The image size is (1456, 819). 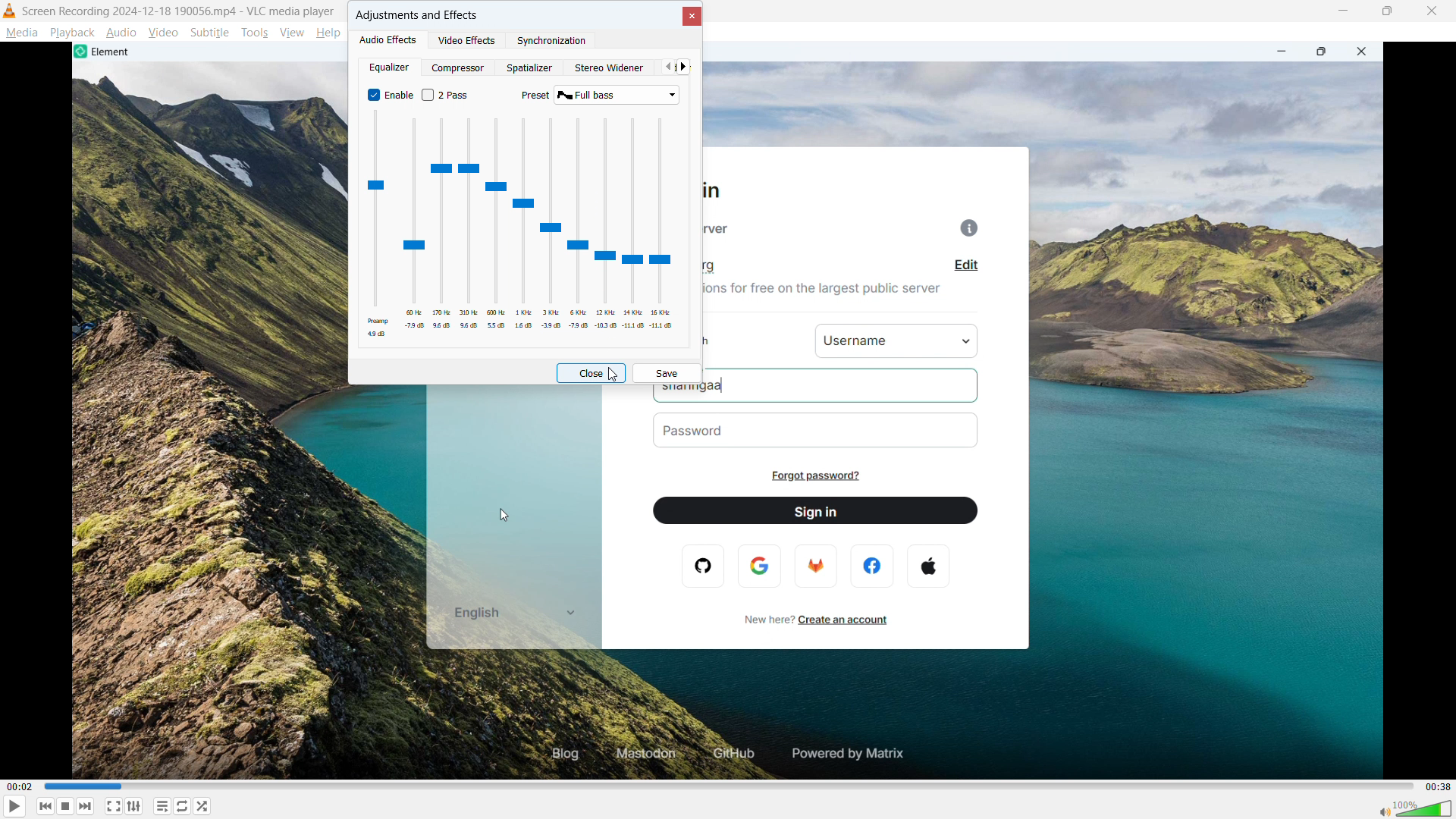 What do you see at coordinates (661, 224) in the screenshot?
I see `Adjust 15 kilohertz ` at bounding box center [661, 224].